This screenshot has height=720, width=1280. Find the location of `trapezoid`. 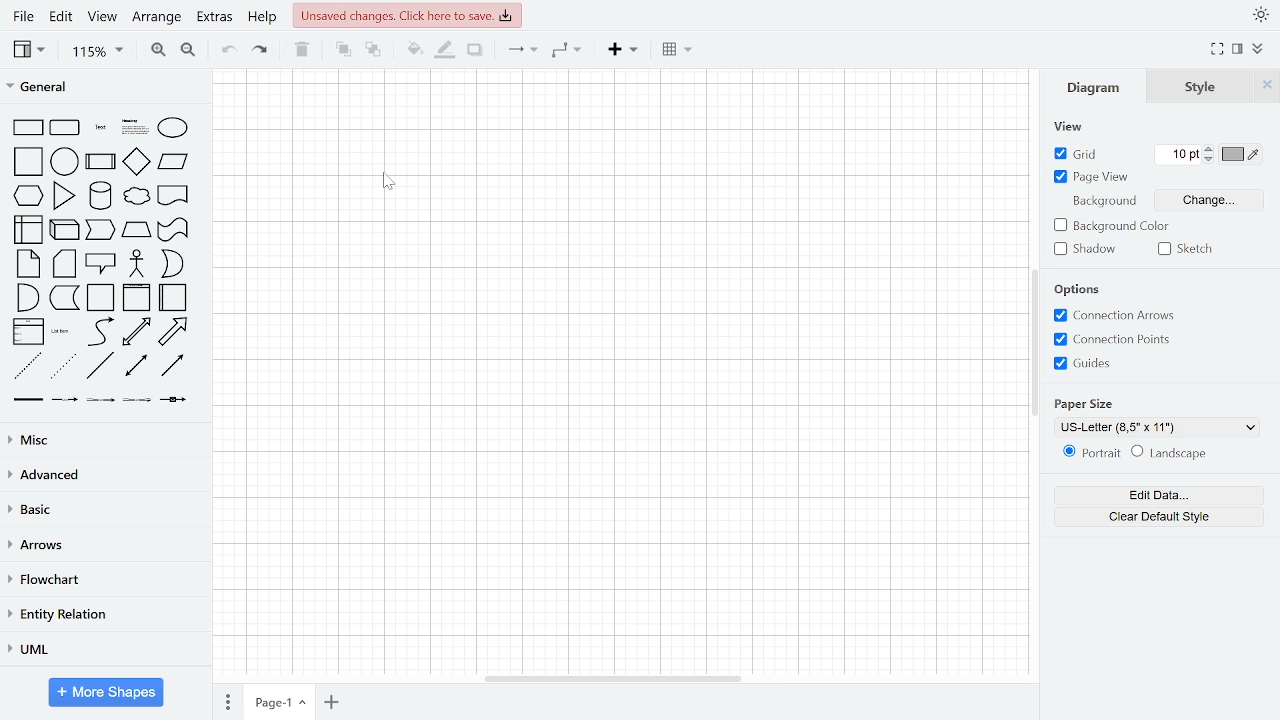

trapezoid is located at coordinates (138, 230).